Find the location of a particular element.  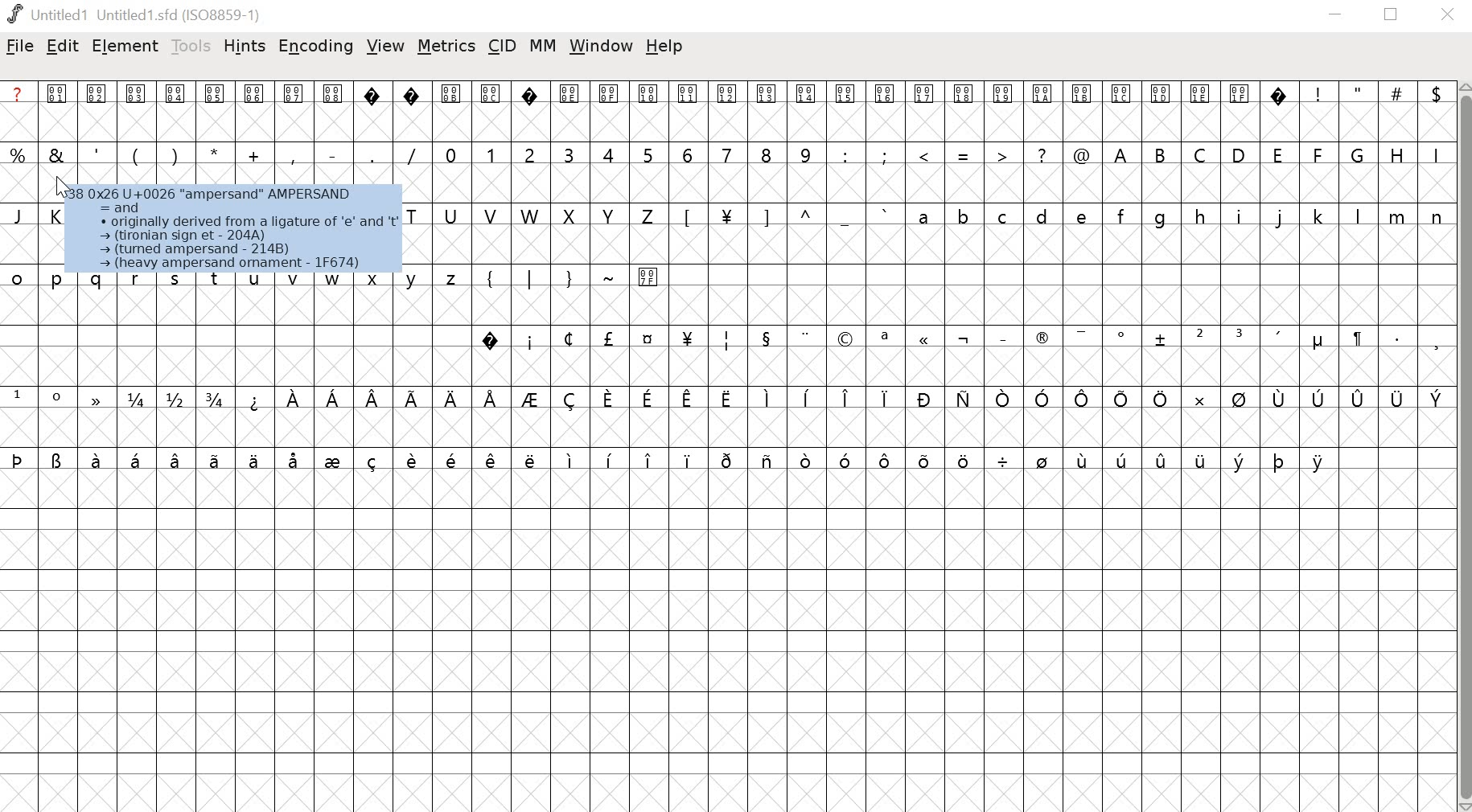

H is located at coordinates (1397, 153).